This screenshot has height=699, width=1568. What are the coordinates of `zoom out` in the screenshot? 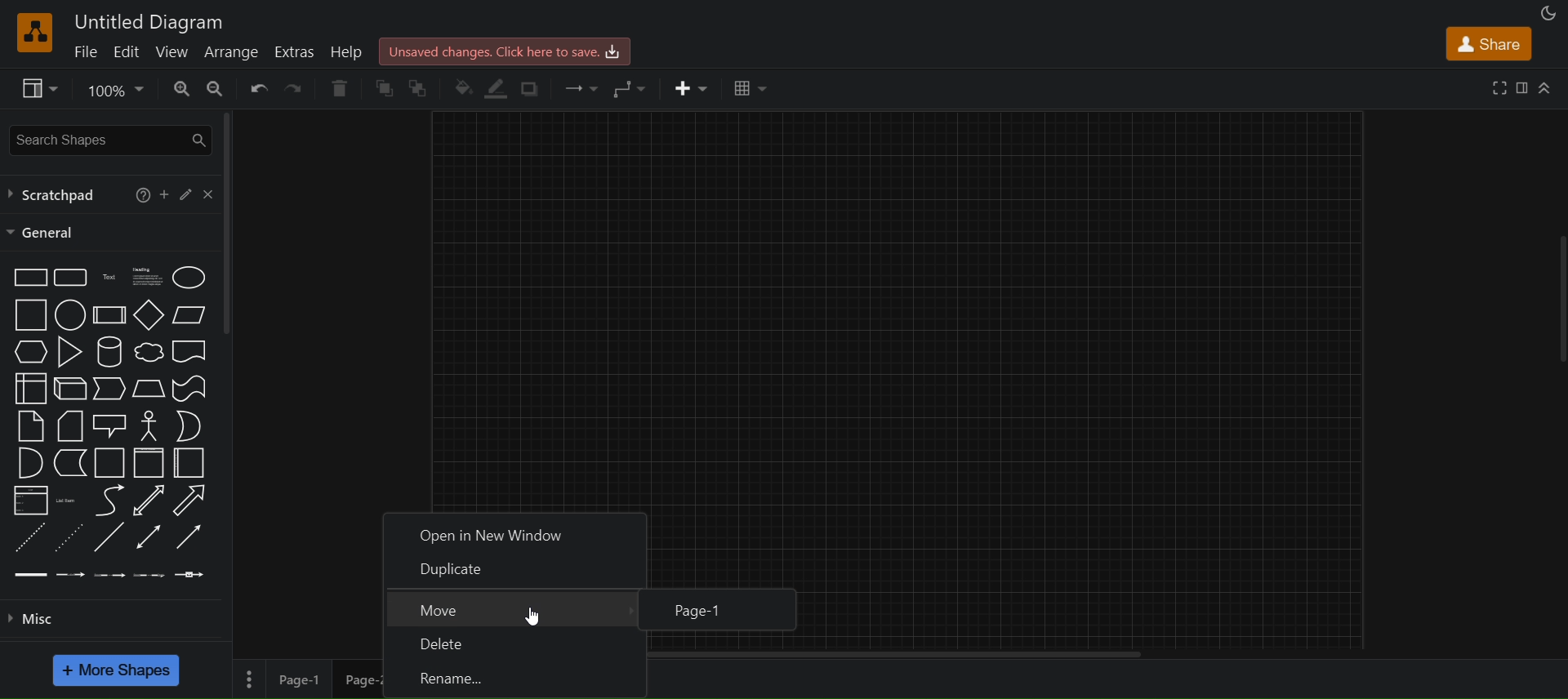 It's located at (217, 88).